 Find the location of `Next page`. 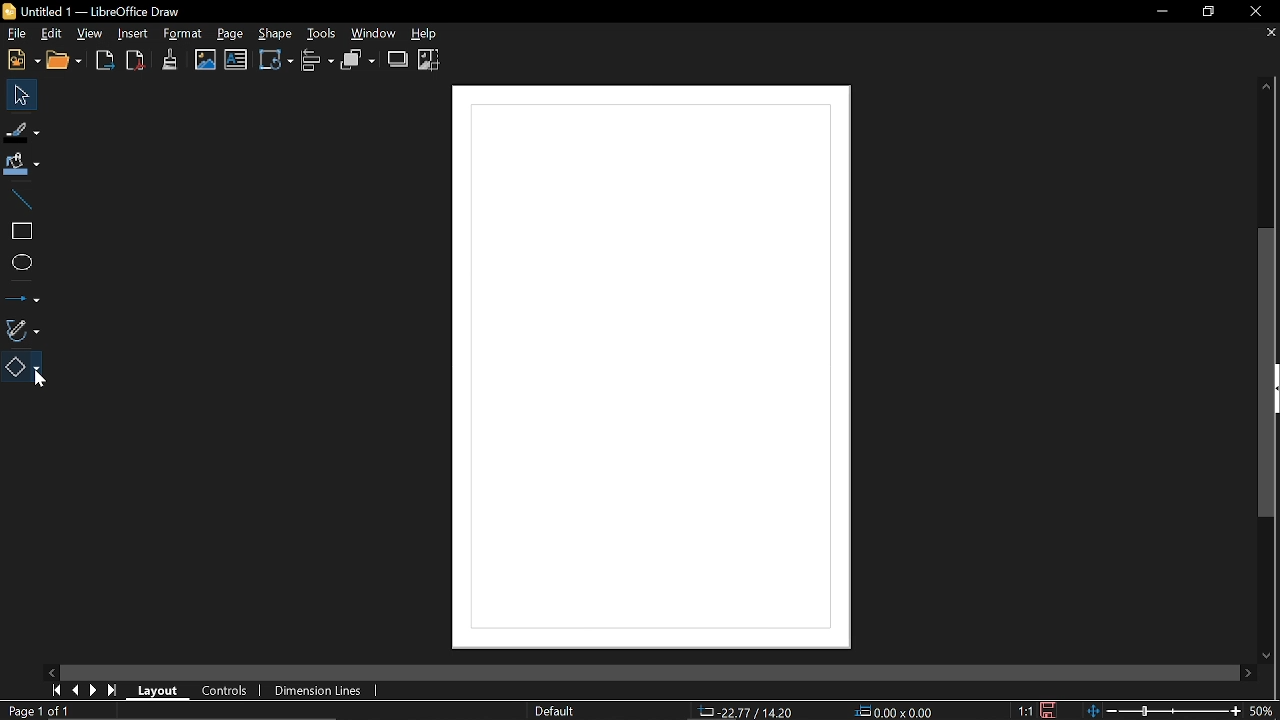

Next page is located at coordinates (94, 690).